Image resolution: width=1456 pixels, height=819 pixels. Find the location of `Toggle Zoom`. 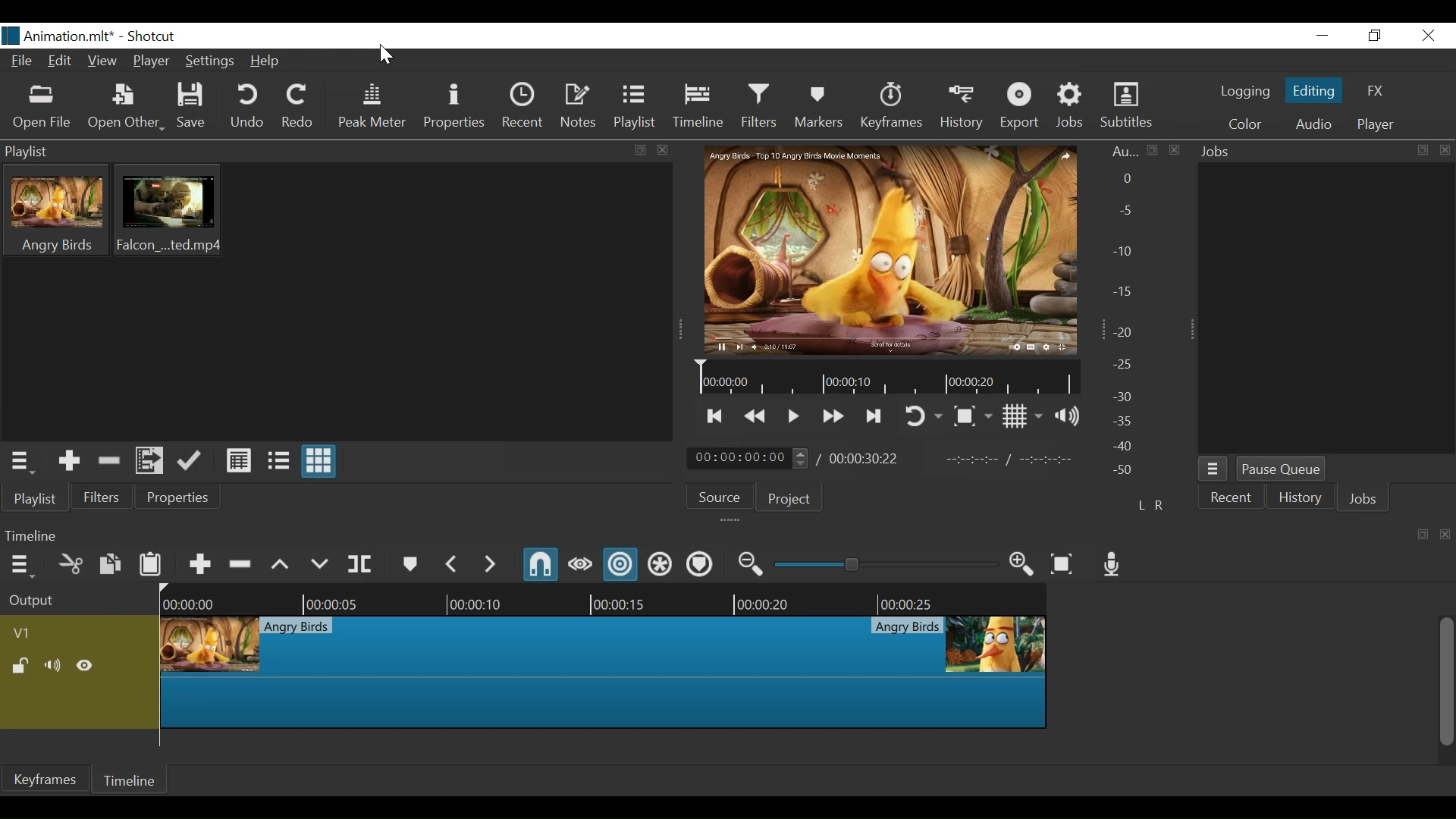

Toggle Zoom is located at coordinates (973, 416).